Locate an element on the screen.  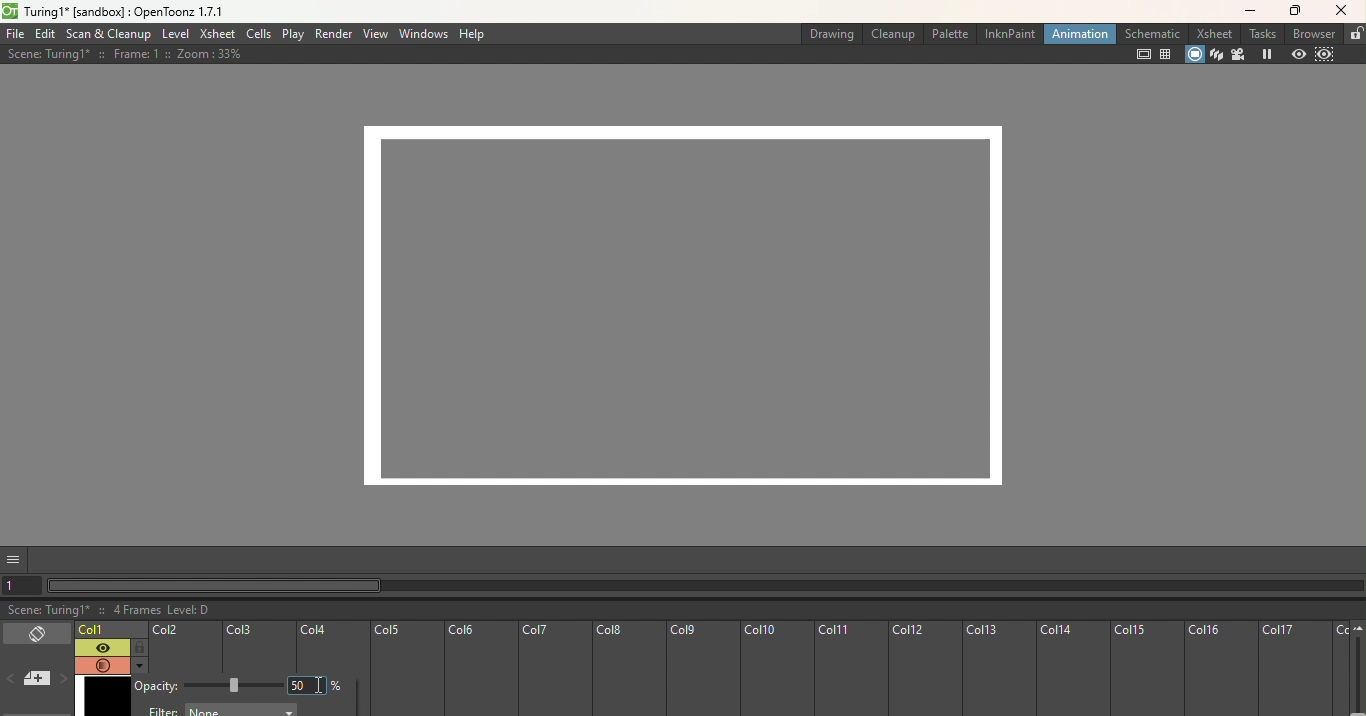
Camera stand view is located at coordinates (1195, 56).